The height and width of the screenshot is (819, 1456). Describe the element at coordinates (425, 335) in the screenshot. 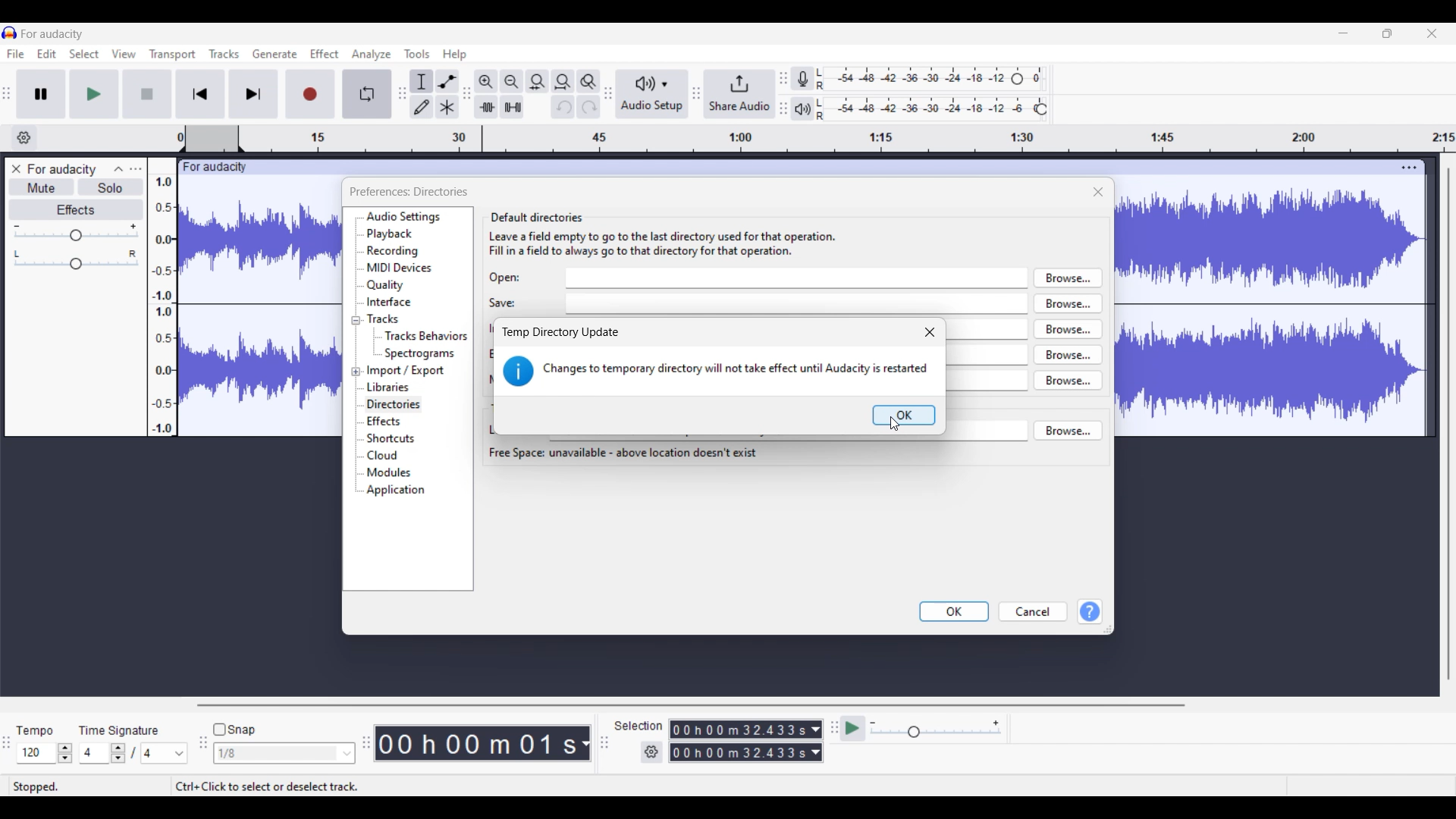

I see `Tracks behavior ` at that location.